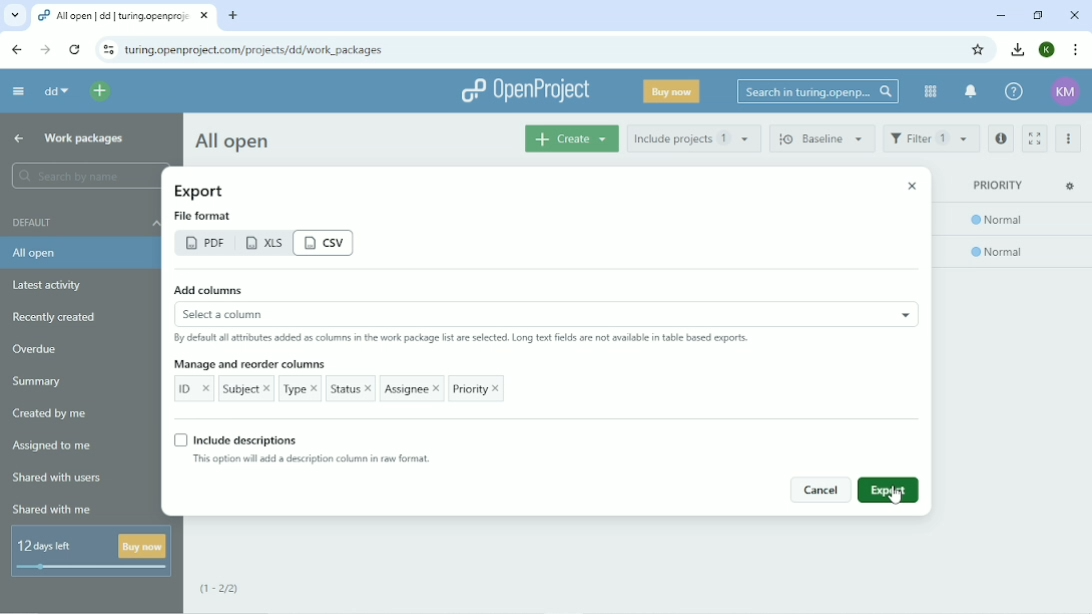 This screenshot has height=614, width=1092. Describe the element at coordinates (1067, 93) in the screenshot. I see `Account` at that location.